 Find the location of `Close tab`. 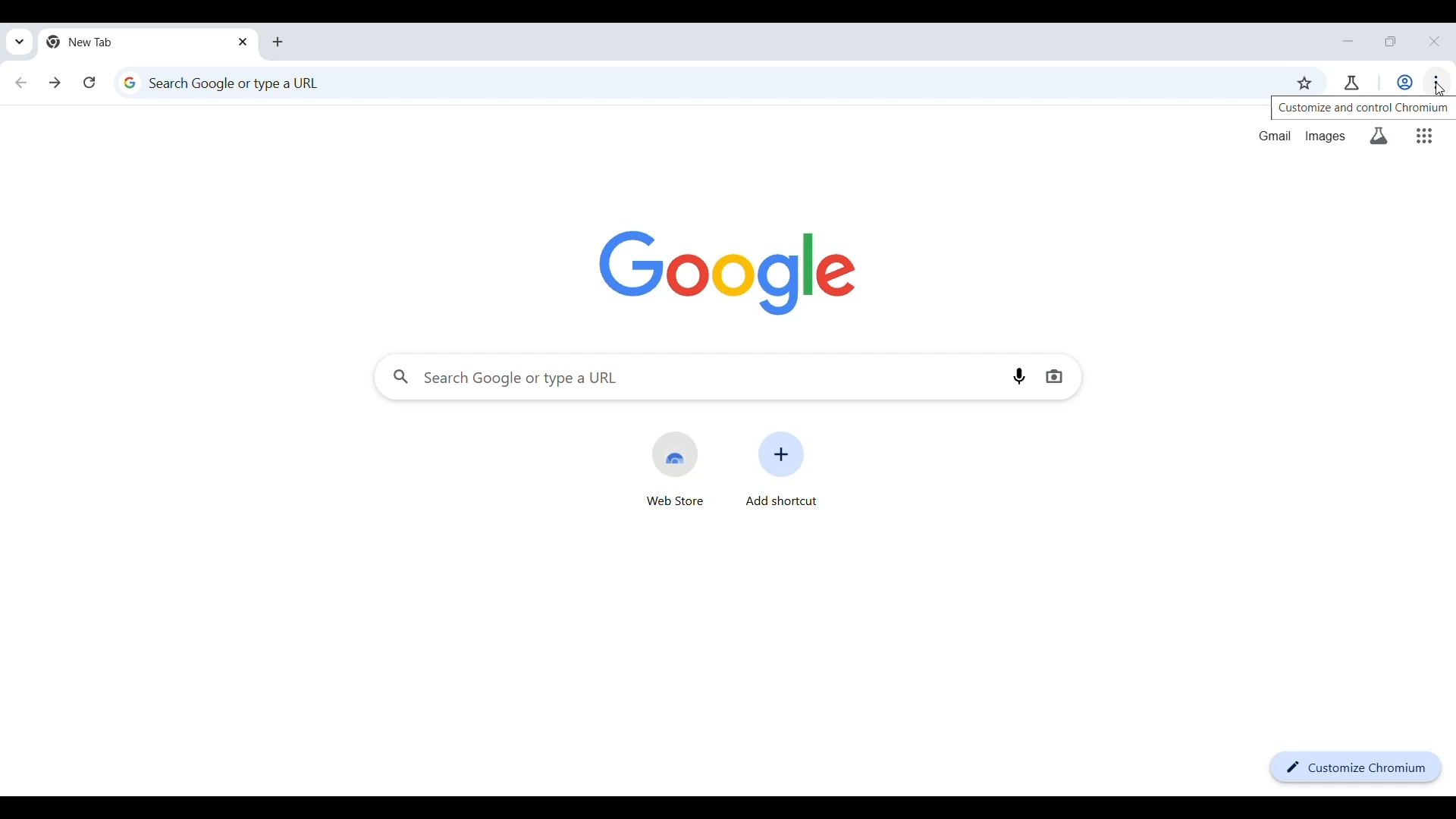

Close tab is located at coordinates (244, 42).